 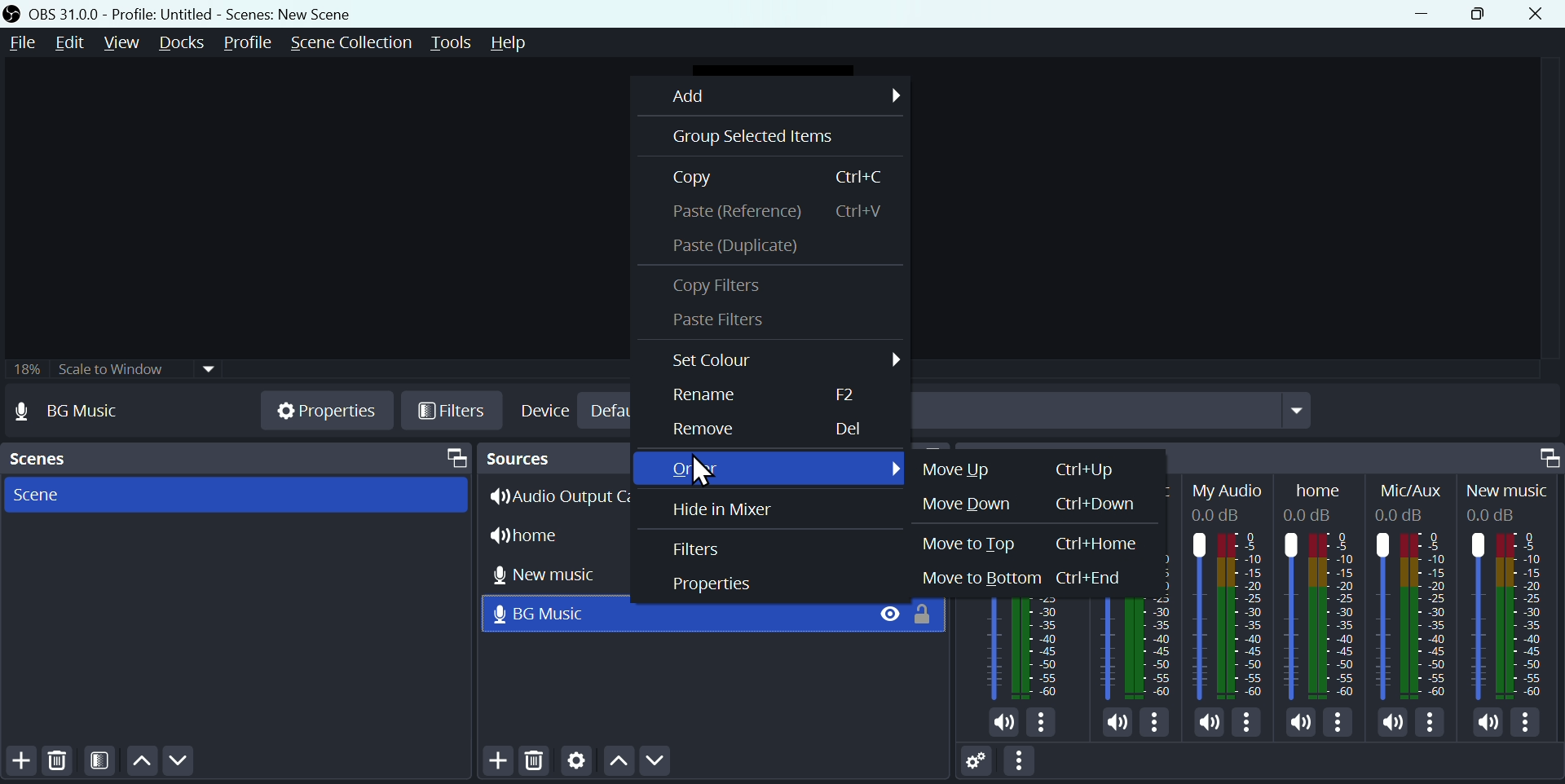 I want to click on Scenes, so click(x=48, y=460).